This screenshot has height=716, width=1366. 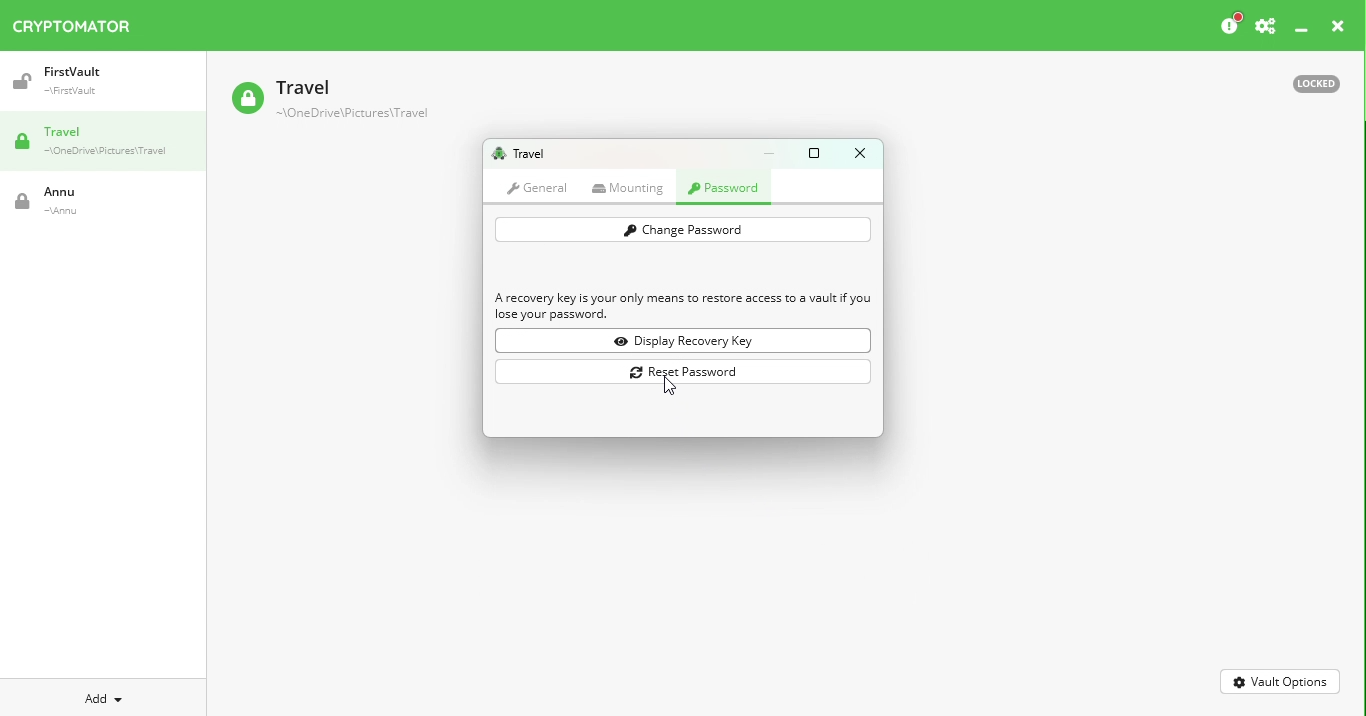 I want to click on Locked, so click(x=1307, y=82).